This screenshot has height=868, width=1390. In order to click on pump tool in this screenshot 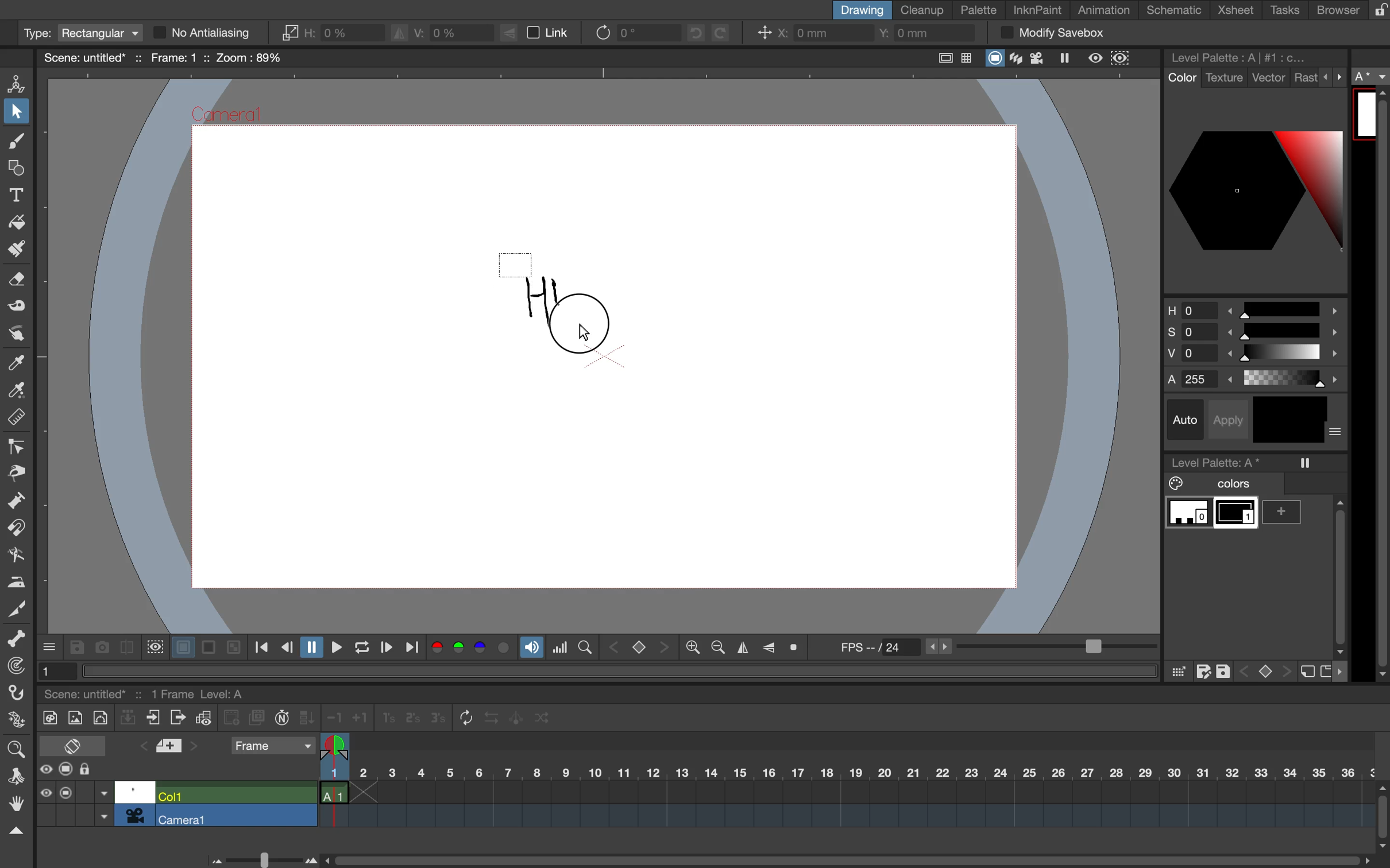, I will do `click(18, 502)`.